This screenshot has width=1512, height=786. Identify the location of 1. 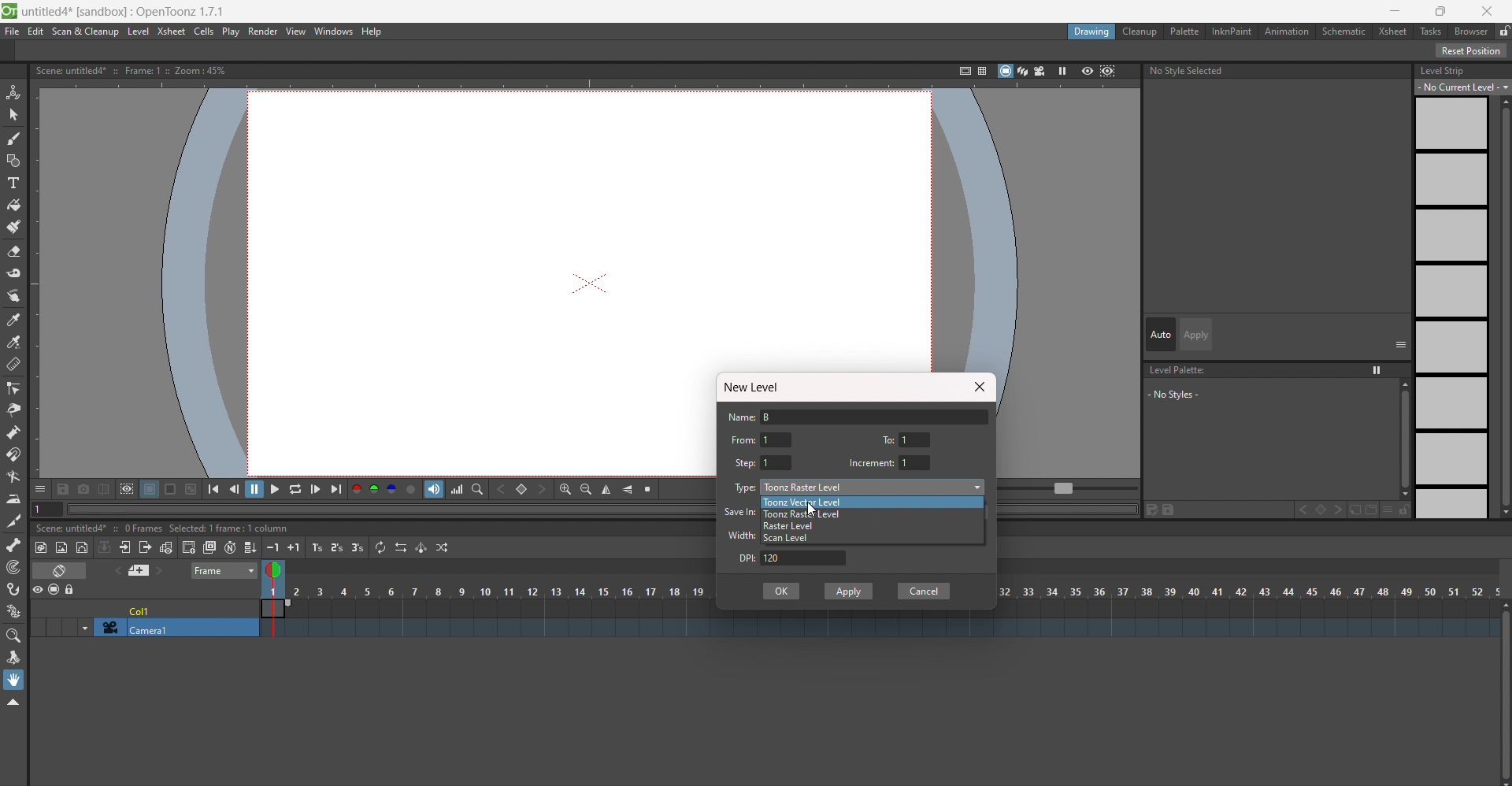
(777, 439).